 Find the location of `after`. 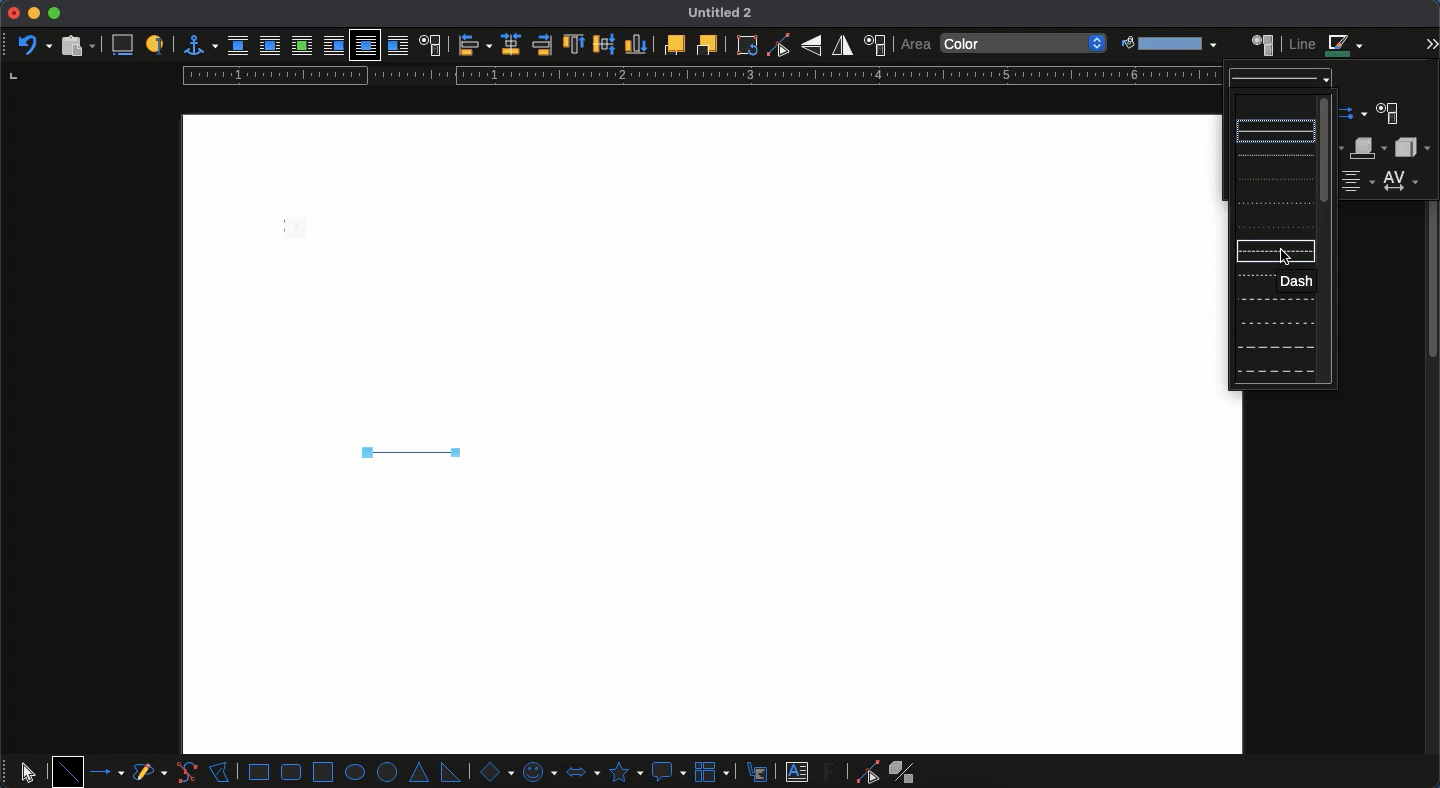

after is located at coordinates (397, 45).